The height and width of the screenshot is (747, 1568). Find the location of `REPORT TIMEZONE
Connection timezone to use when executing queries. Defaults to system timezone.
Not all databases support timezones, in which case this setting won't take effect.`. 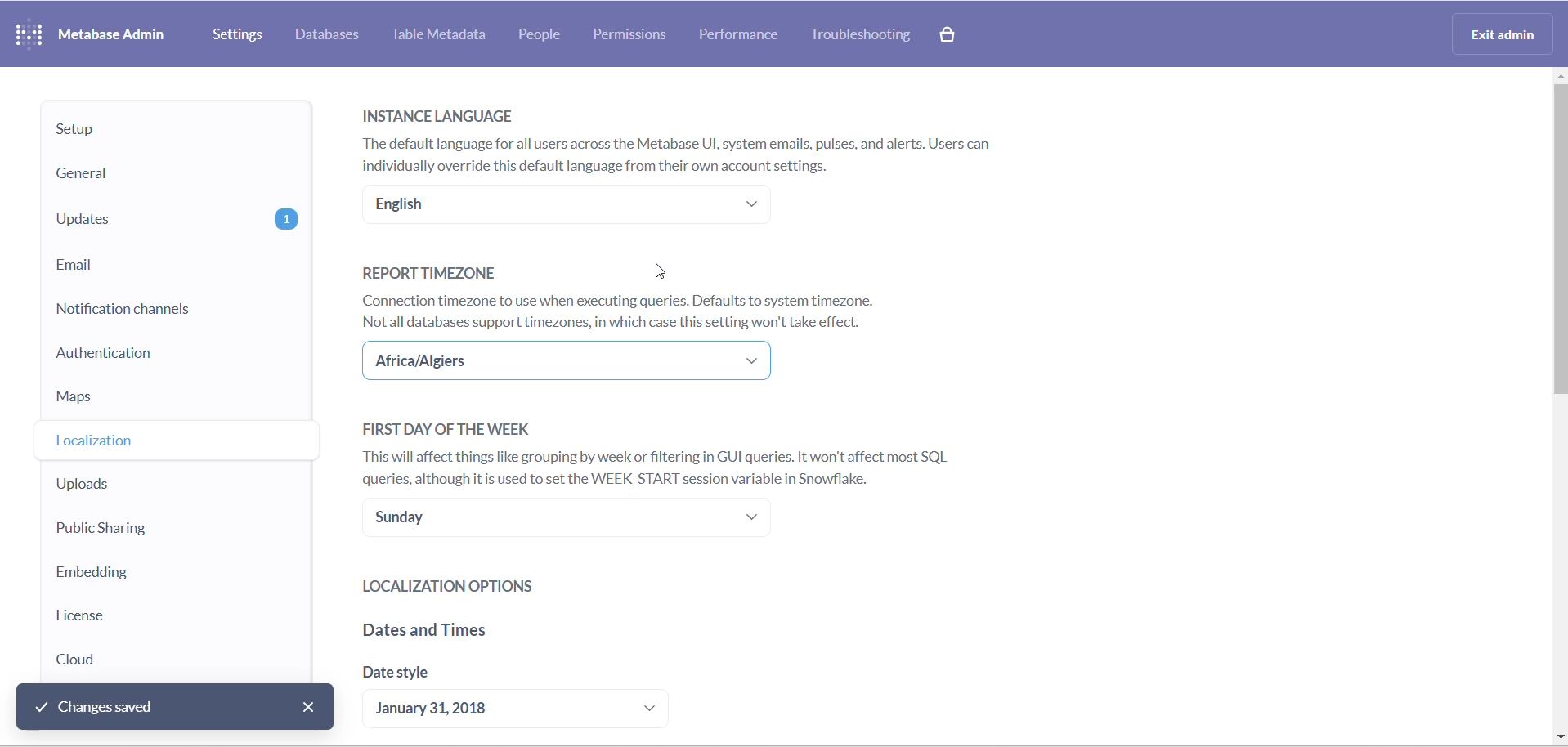

REPORT TIMEZONE
Connection timezone to use when executing queries. Defaults to system timezone.
Not all databases support timezones, in which case this setting won't take effect. is located at coordinates (629, 295).